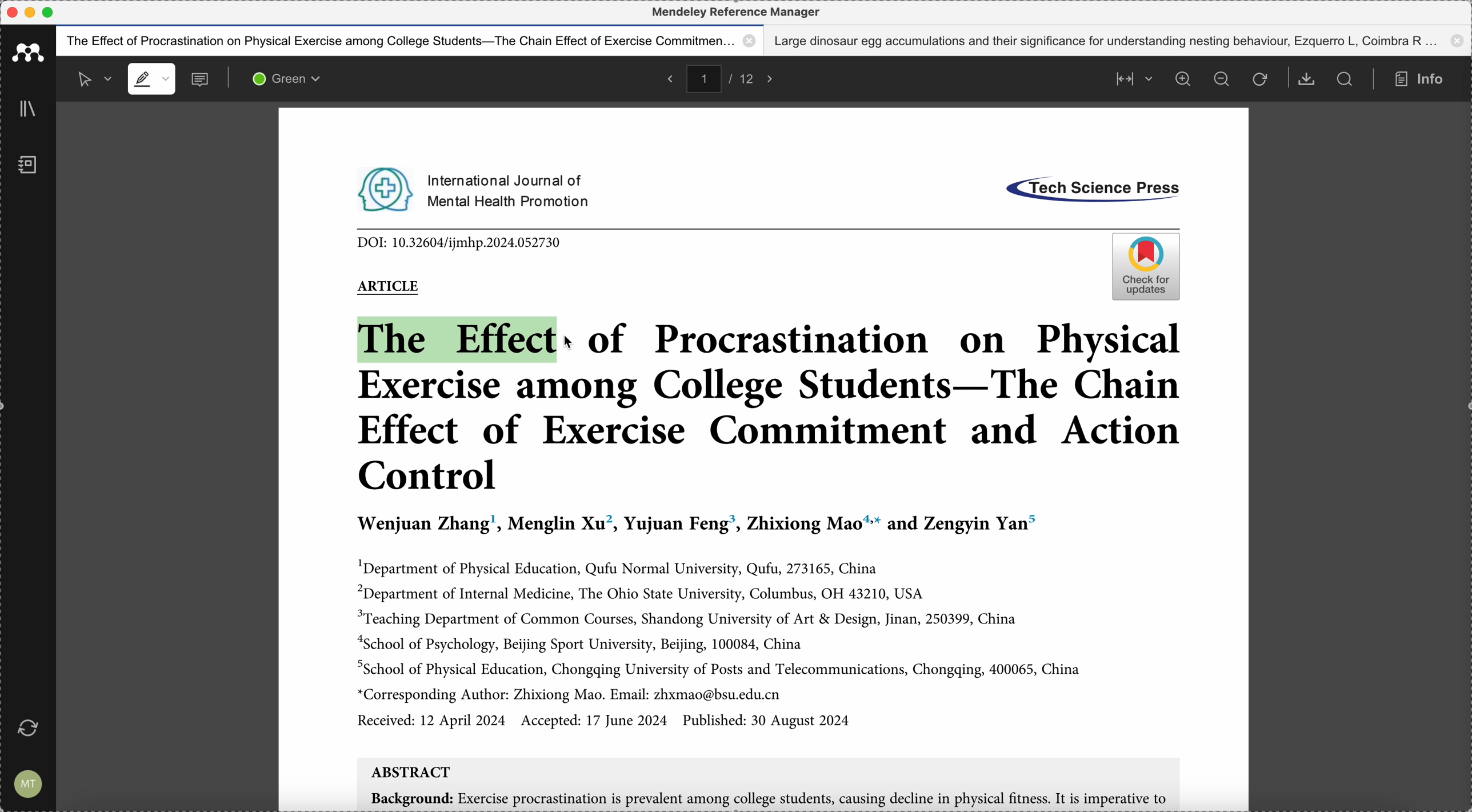  Describe the element at coordinates (49, 13) in the screenshot. I see `maximize` at that location.